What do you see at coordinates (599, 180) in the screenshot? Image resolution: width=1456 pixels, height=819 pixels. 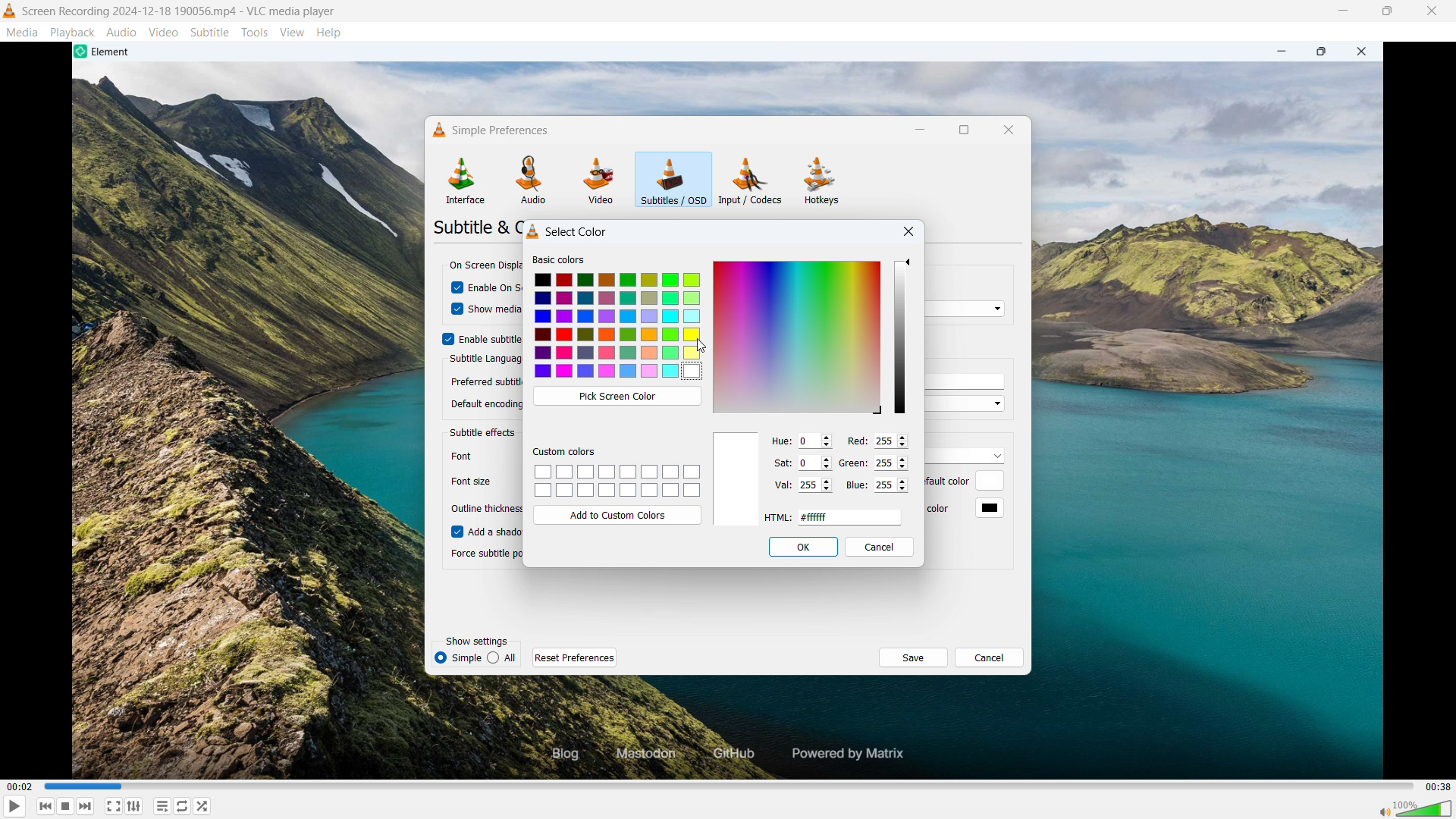 I see `Video ` at bounding box center [599, 180].